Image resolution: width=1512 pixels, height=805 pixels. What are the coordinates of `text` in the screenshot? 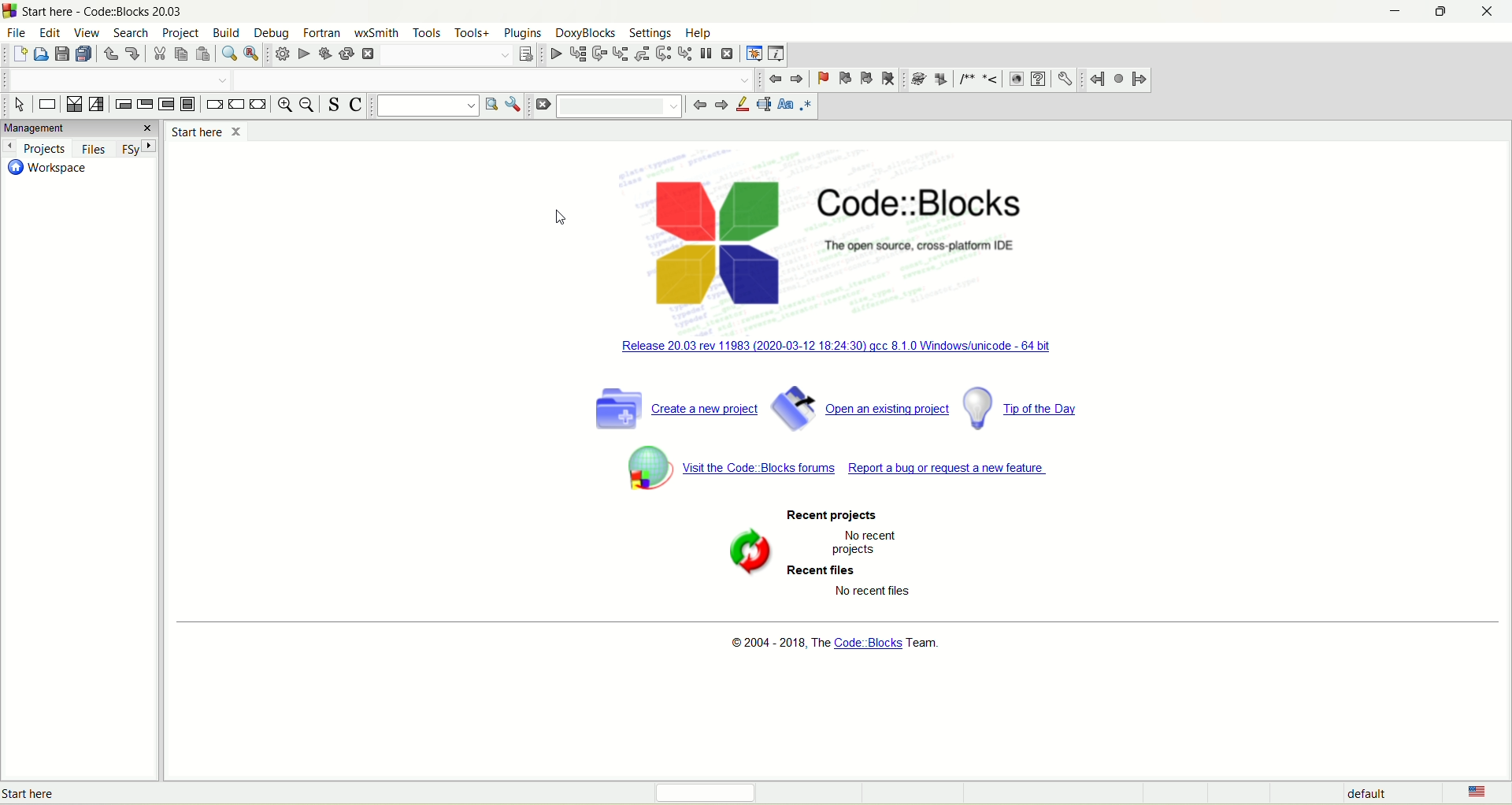 It's located at (831, 646).